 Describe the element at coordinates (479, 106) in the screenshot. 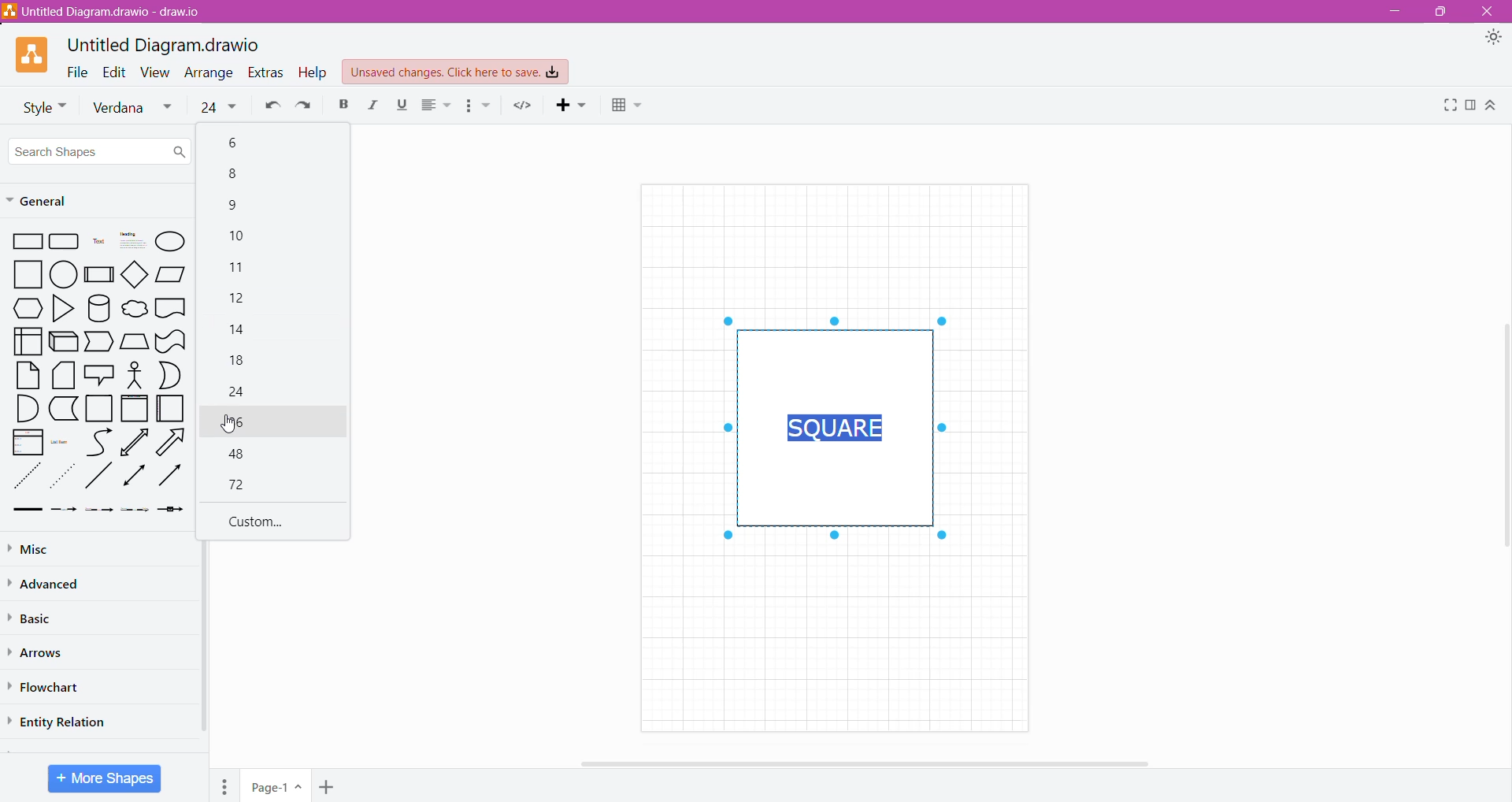

I see `Bullets` at that location.